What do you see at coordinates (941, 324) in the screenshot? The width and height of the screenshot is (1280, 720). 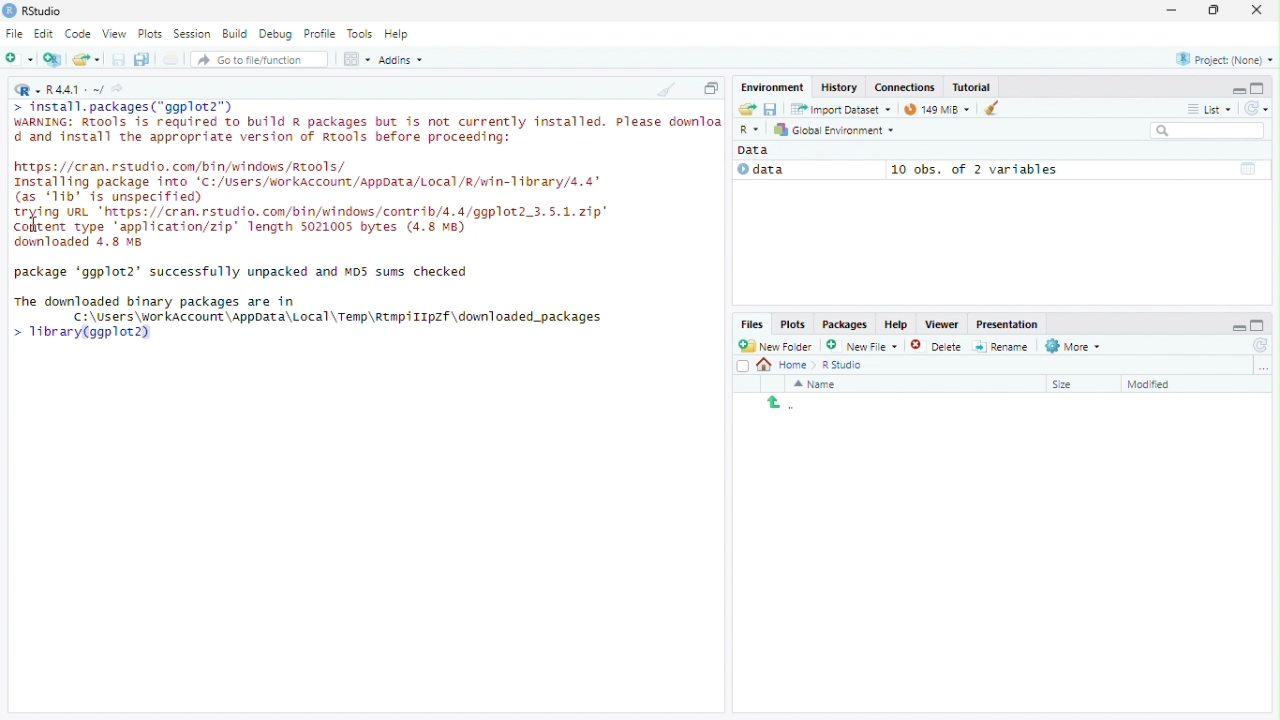 I see `Viewer` at bounding box center [941, 324].